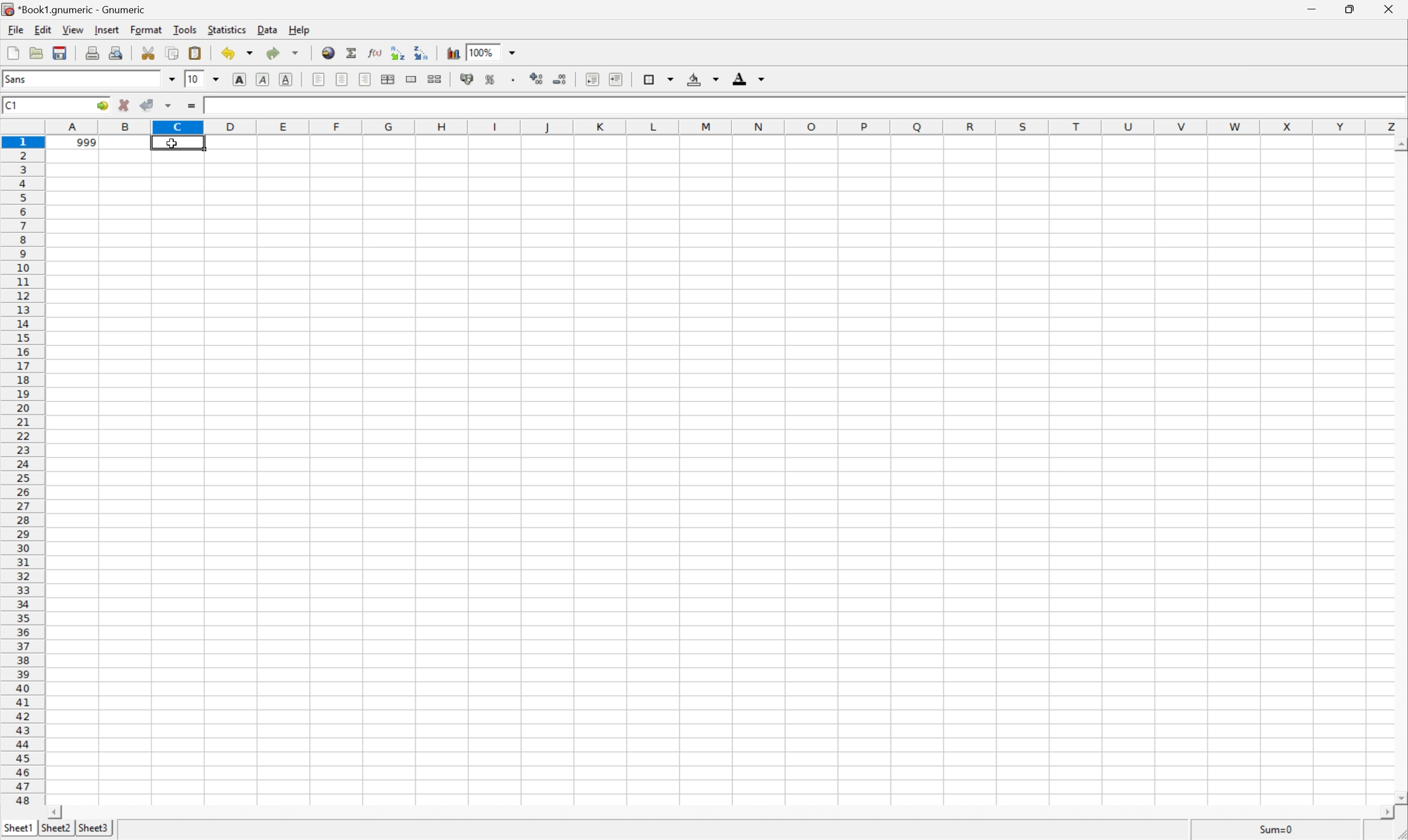 The height and width of the screenshot is (840, 1408). What do you see at coordinates (186, 31) in the screenshot?
I see `tools` at bounding box center [186, 31].